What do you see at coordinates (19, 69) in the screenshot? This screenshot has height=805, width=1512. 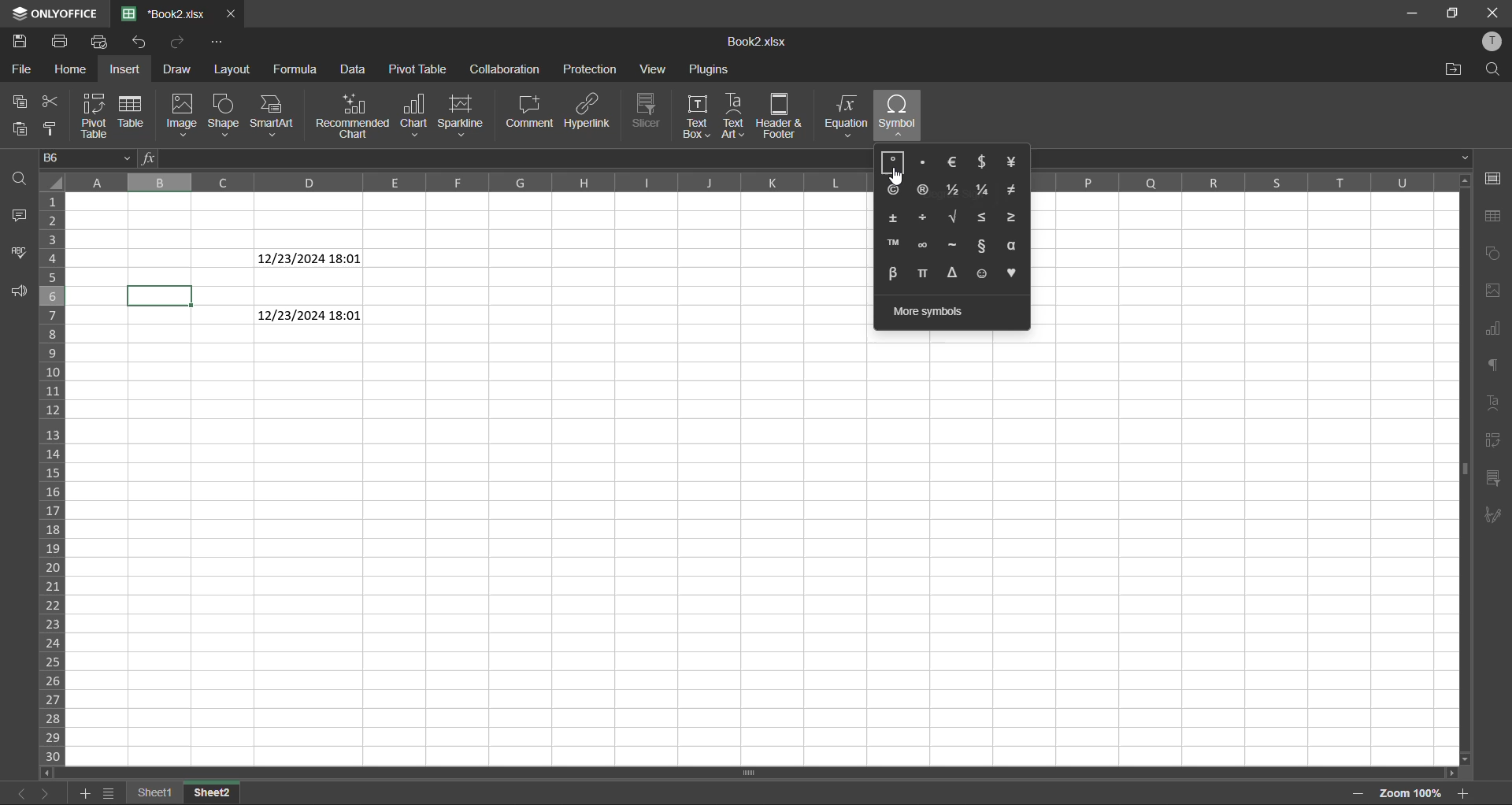 I see `file` at bounding box center [19, 69].